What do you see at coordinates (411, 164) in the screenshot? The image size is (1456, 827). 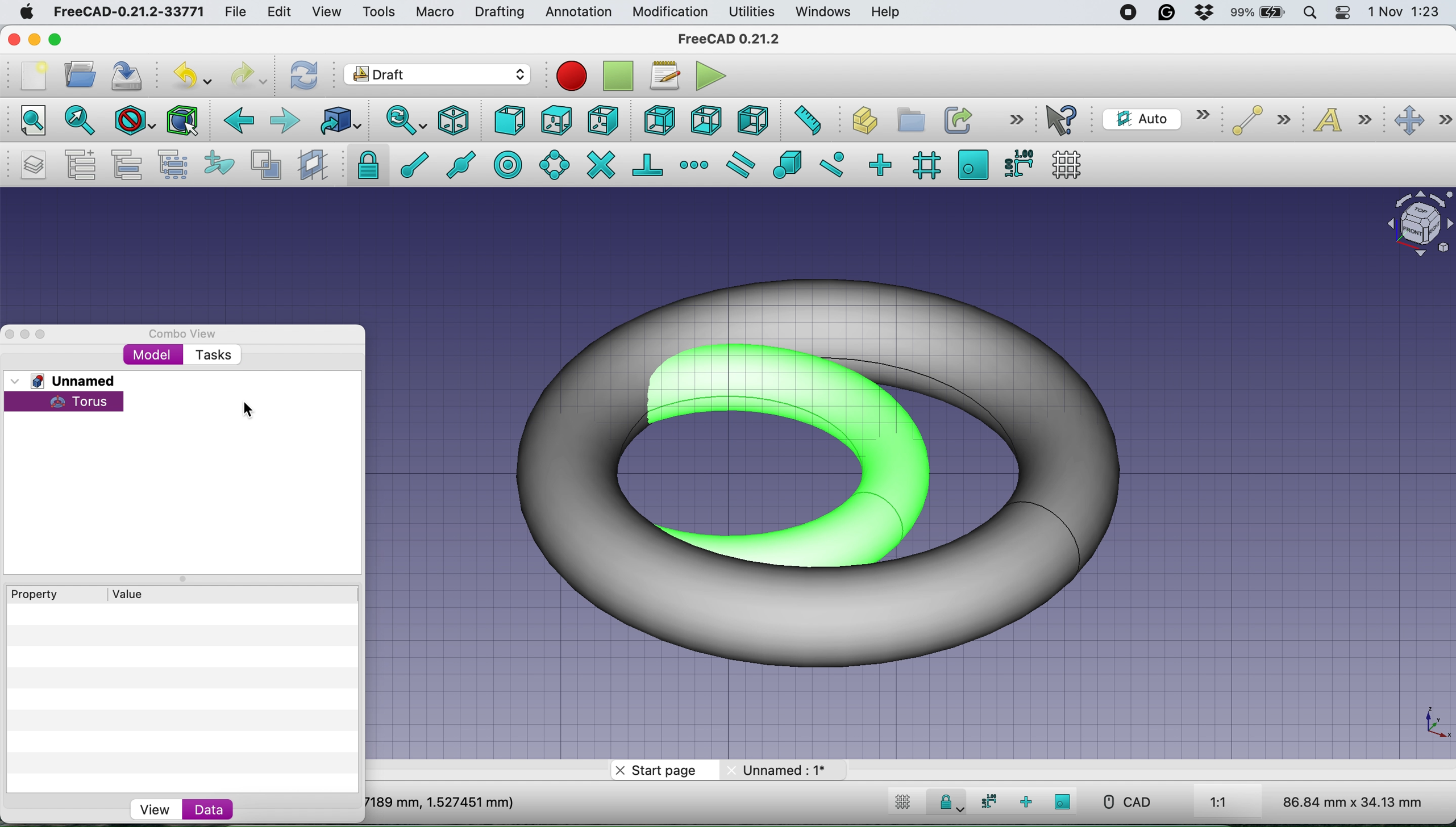 I see `snap endpoint` at bounding box center [411, 164].